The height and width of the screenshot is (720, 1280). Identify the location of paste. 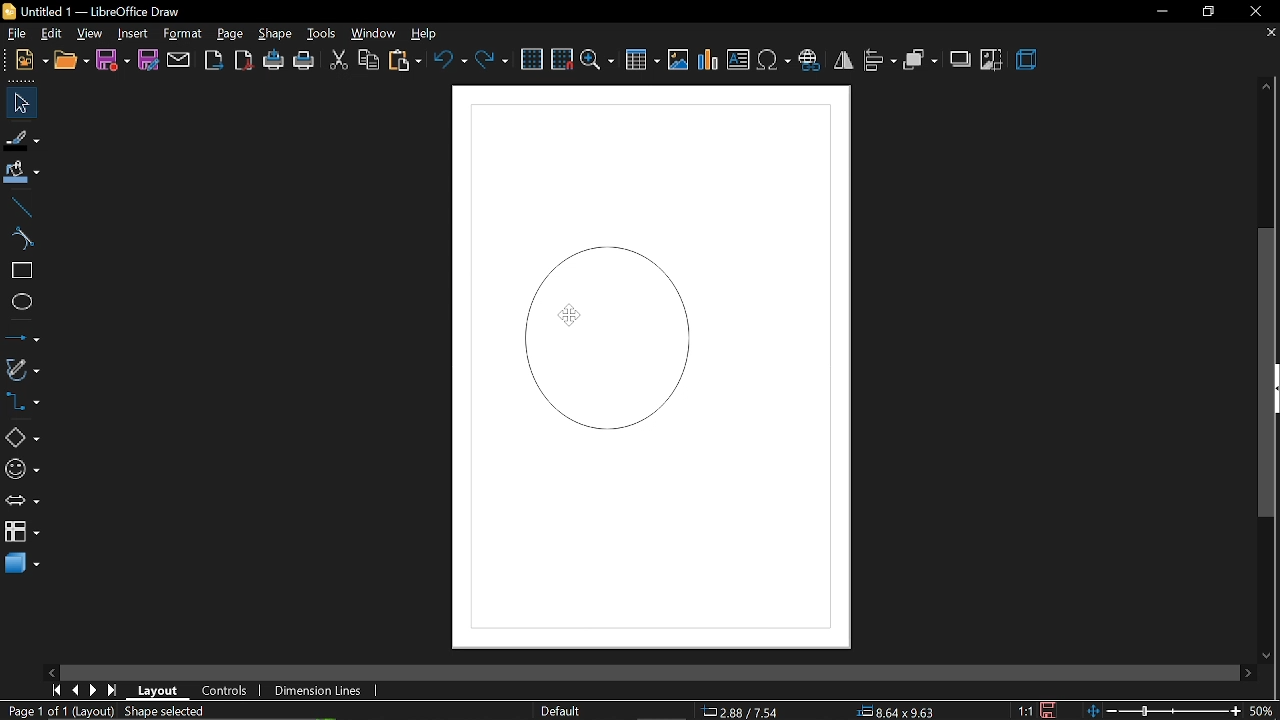
(404, 63).